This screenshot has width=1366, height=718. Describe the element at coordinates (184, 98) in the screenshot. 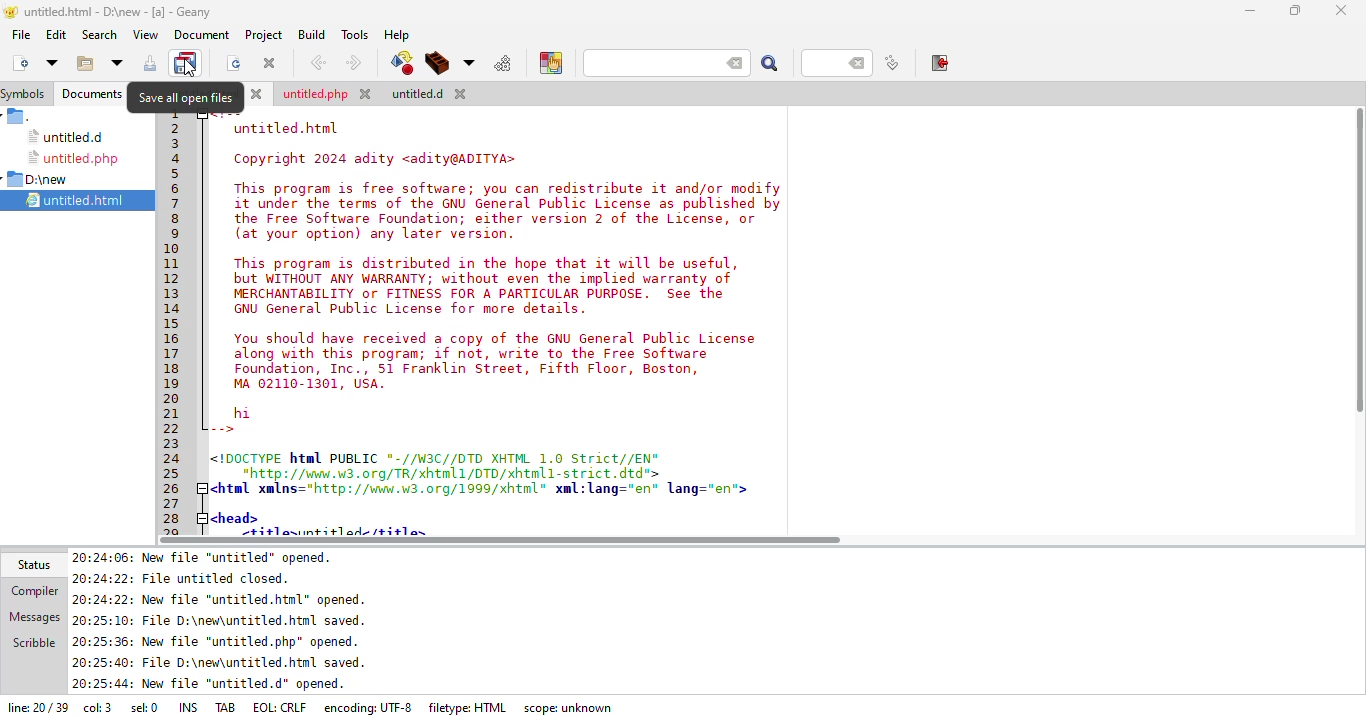

I see `save` at that location.